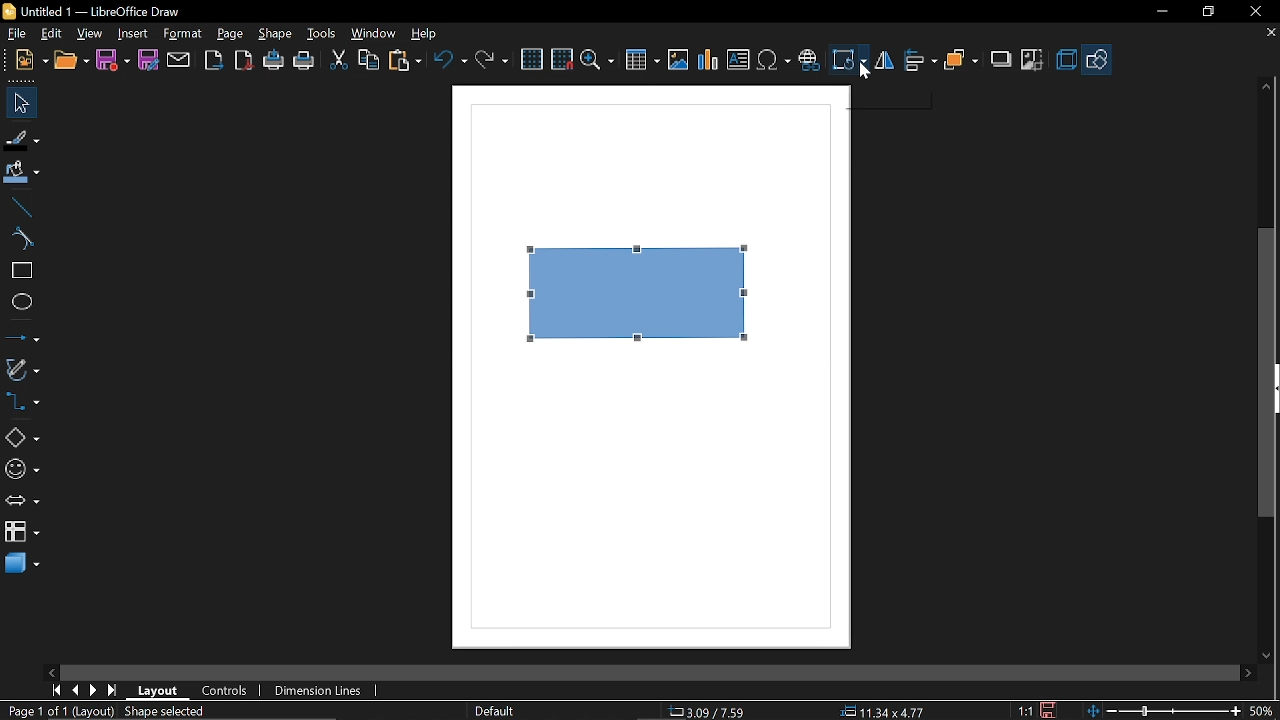 The width and height of the screenshot is (1280, 720). What do you see at coordinates (22, 339) in the screenshot?
I see `lines and arrows` at bounding box center [22, 339].